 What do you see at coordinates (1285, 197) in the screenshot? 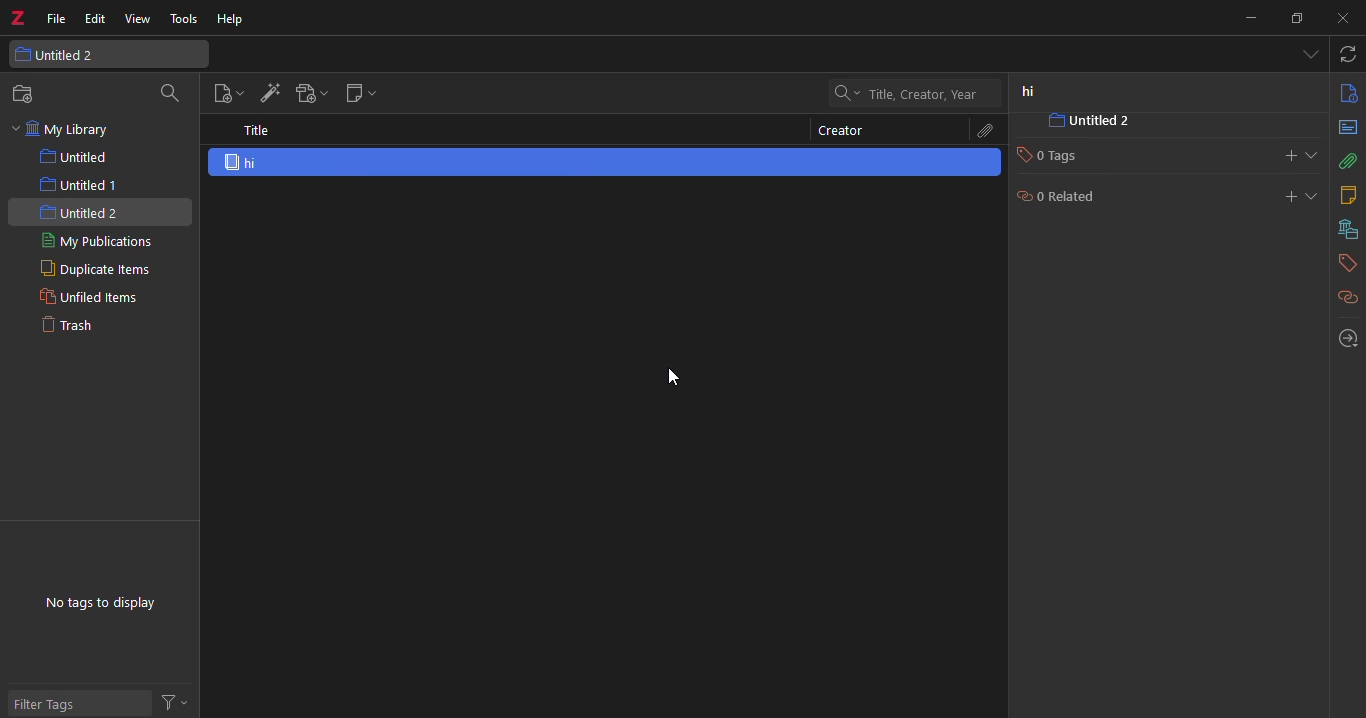
I see `add` at bounding box center [1285, 197].